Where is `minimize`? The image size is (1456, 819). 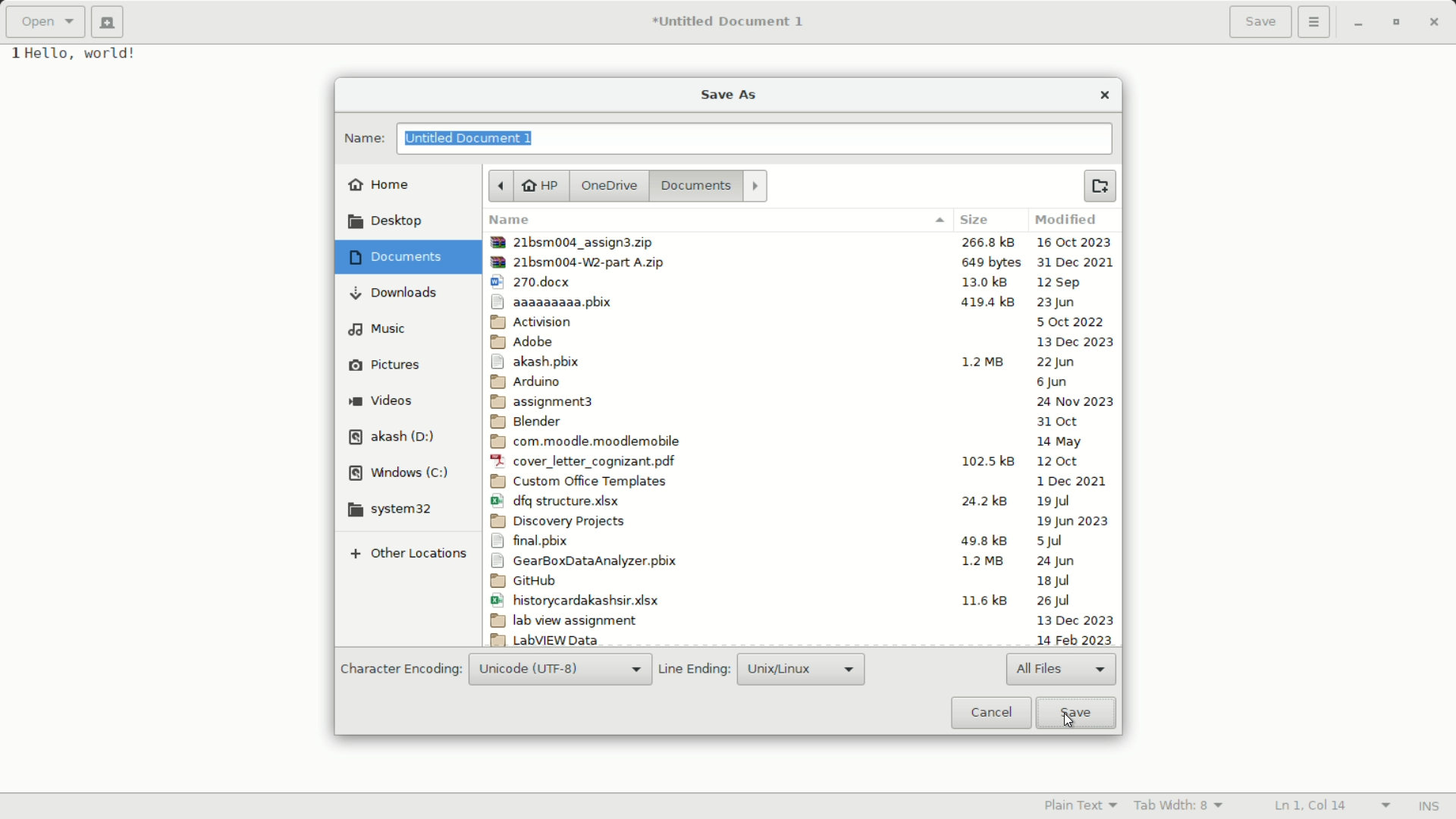 minimize is located at coordinates (1358, 24).